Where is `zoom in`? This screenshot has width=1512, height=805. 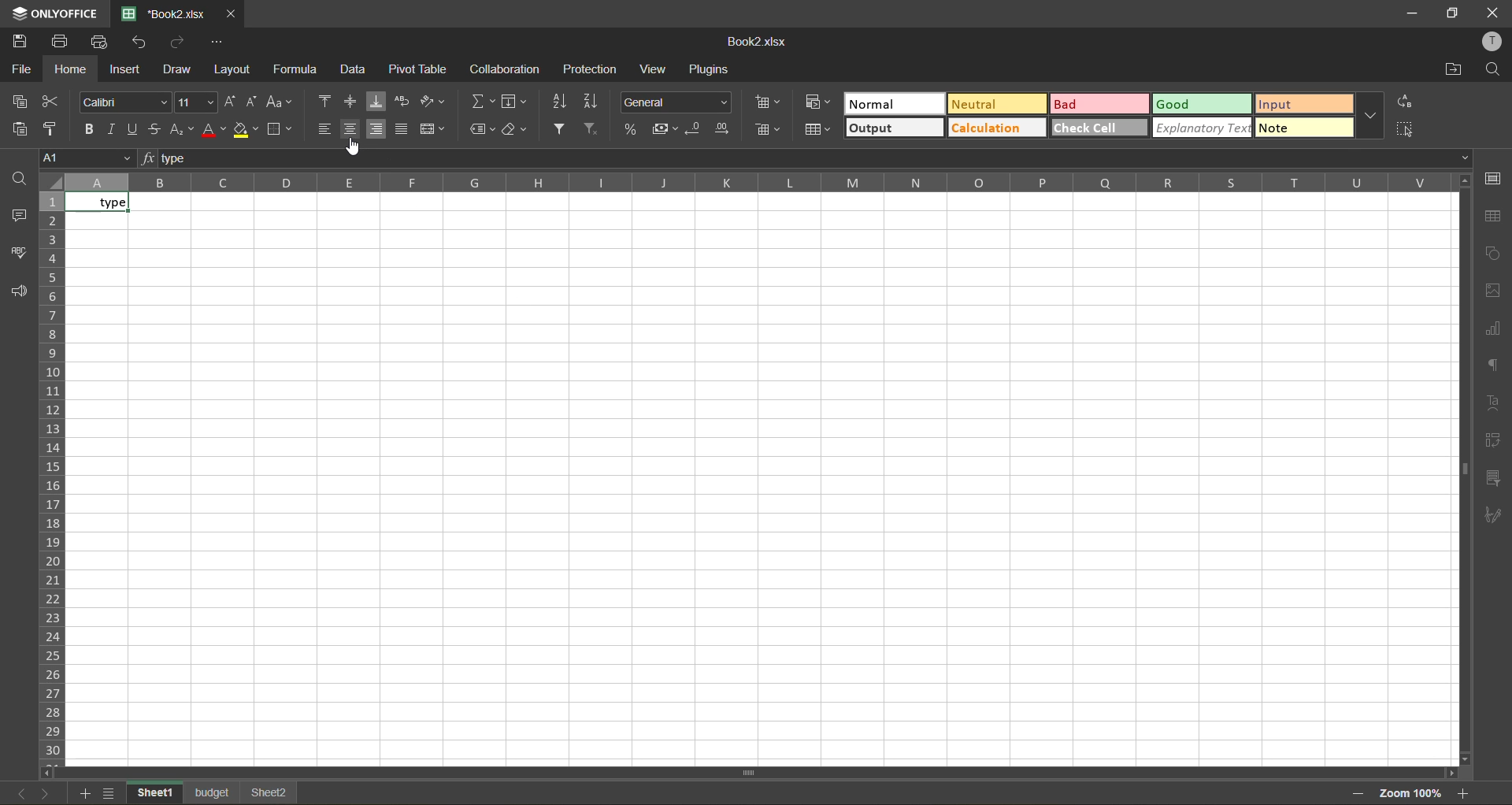
zoom in is located at coordinates (1464, 796).